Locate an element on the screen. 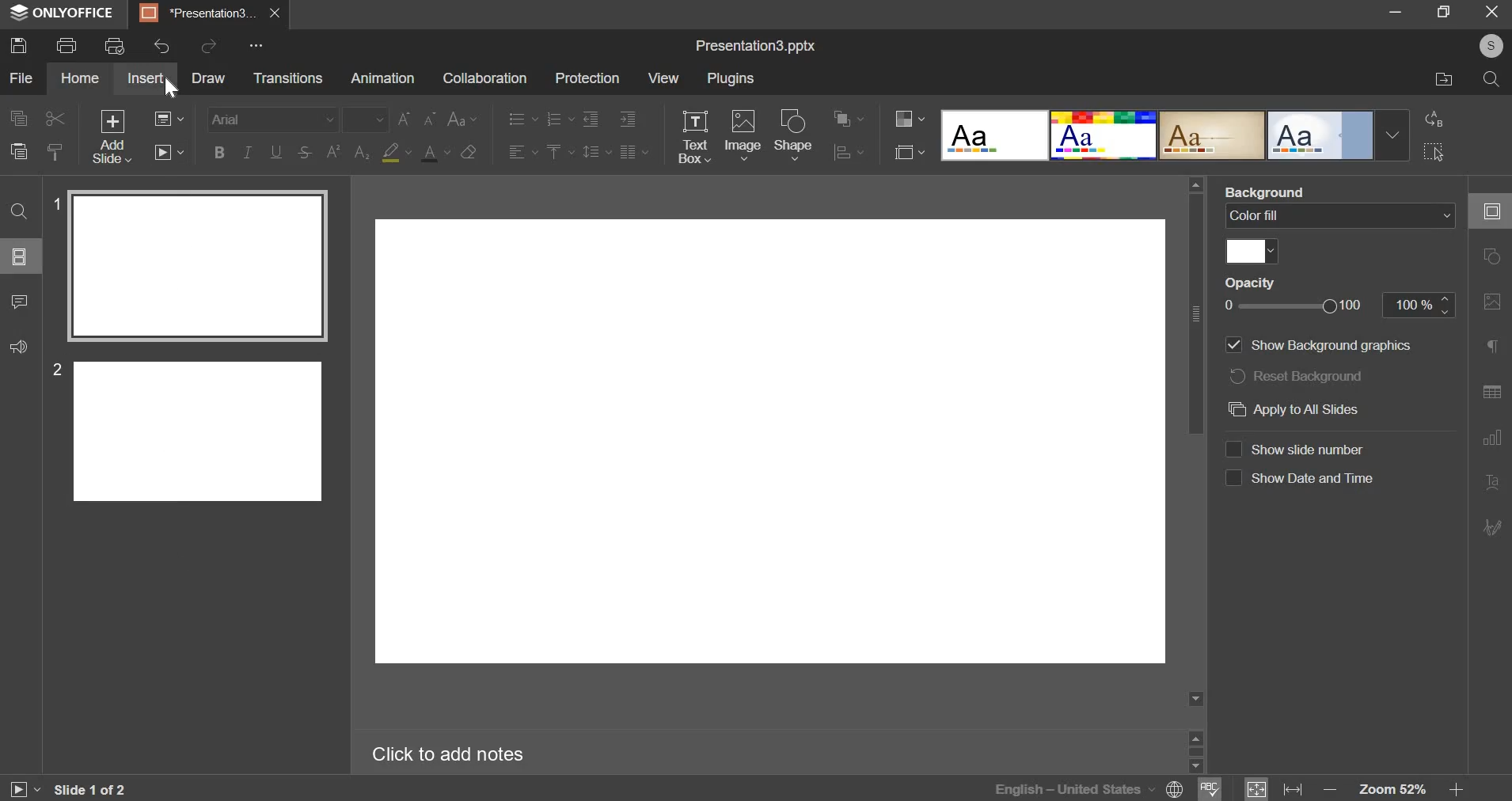  font size is located at coordinates (366, 119).